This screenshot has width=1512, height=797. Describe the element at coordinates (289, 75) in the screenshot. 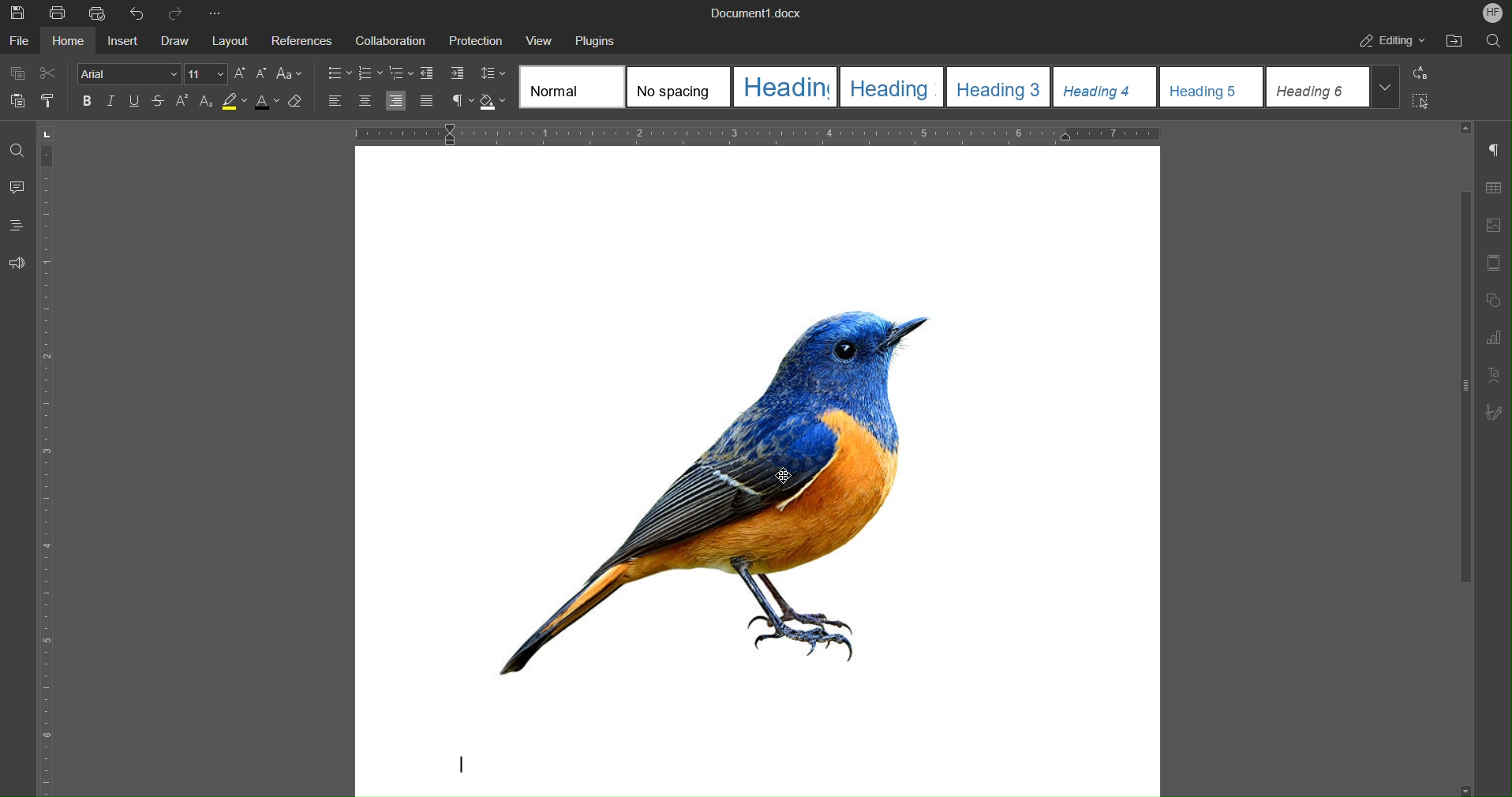

I see `Text Case` at that location.